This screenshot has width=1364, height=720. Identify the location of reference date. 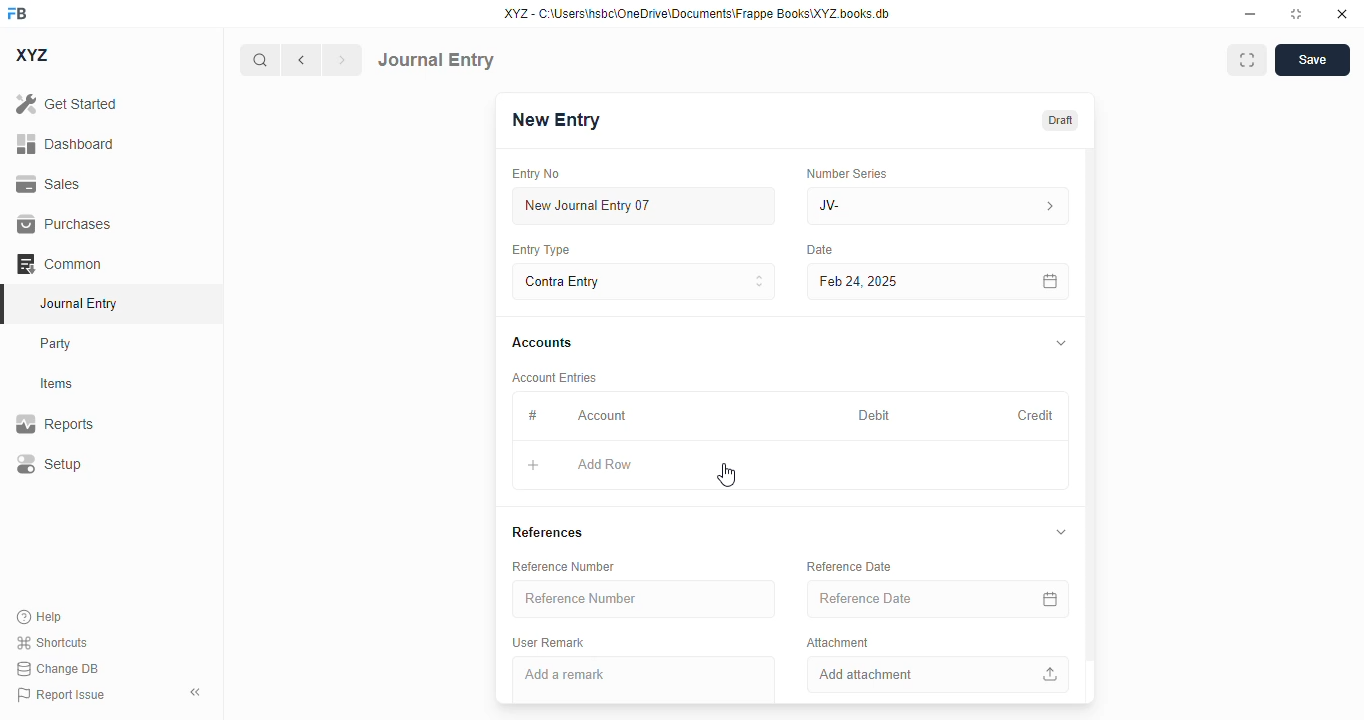
(850, 566).